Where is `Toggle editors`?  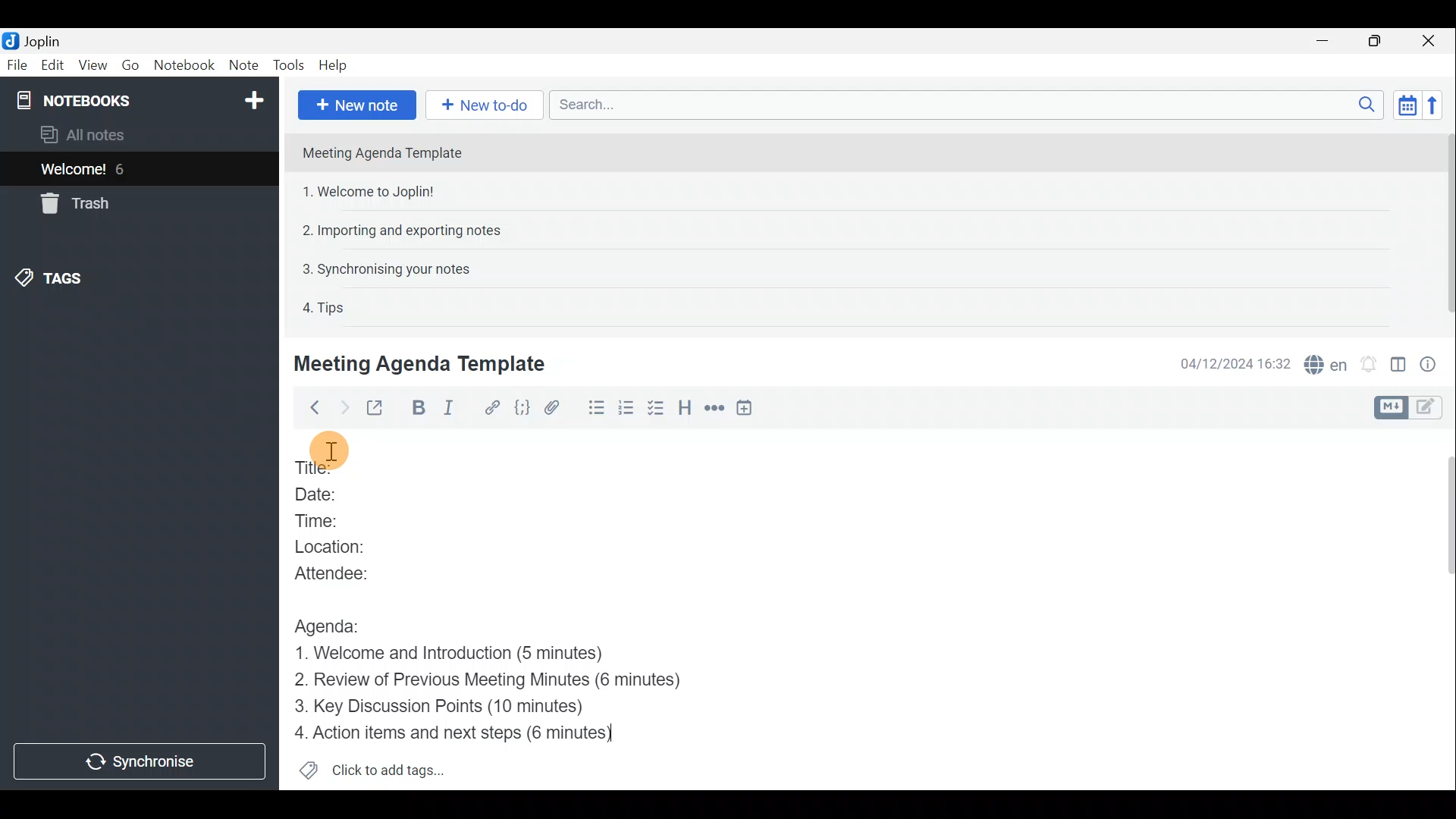 Toggle editors is located at coordinates (1429, 409).